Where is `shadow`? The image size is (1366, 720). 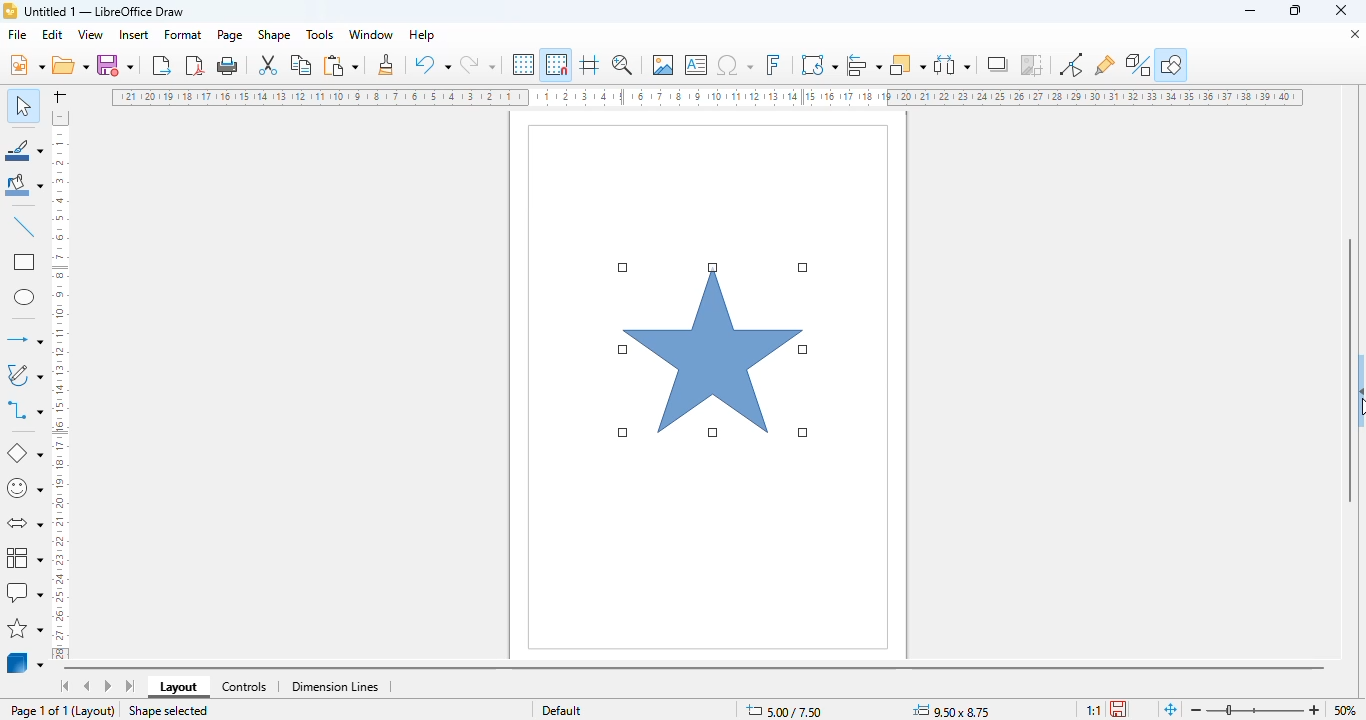 shadow is located at coordinates (998, 64).